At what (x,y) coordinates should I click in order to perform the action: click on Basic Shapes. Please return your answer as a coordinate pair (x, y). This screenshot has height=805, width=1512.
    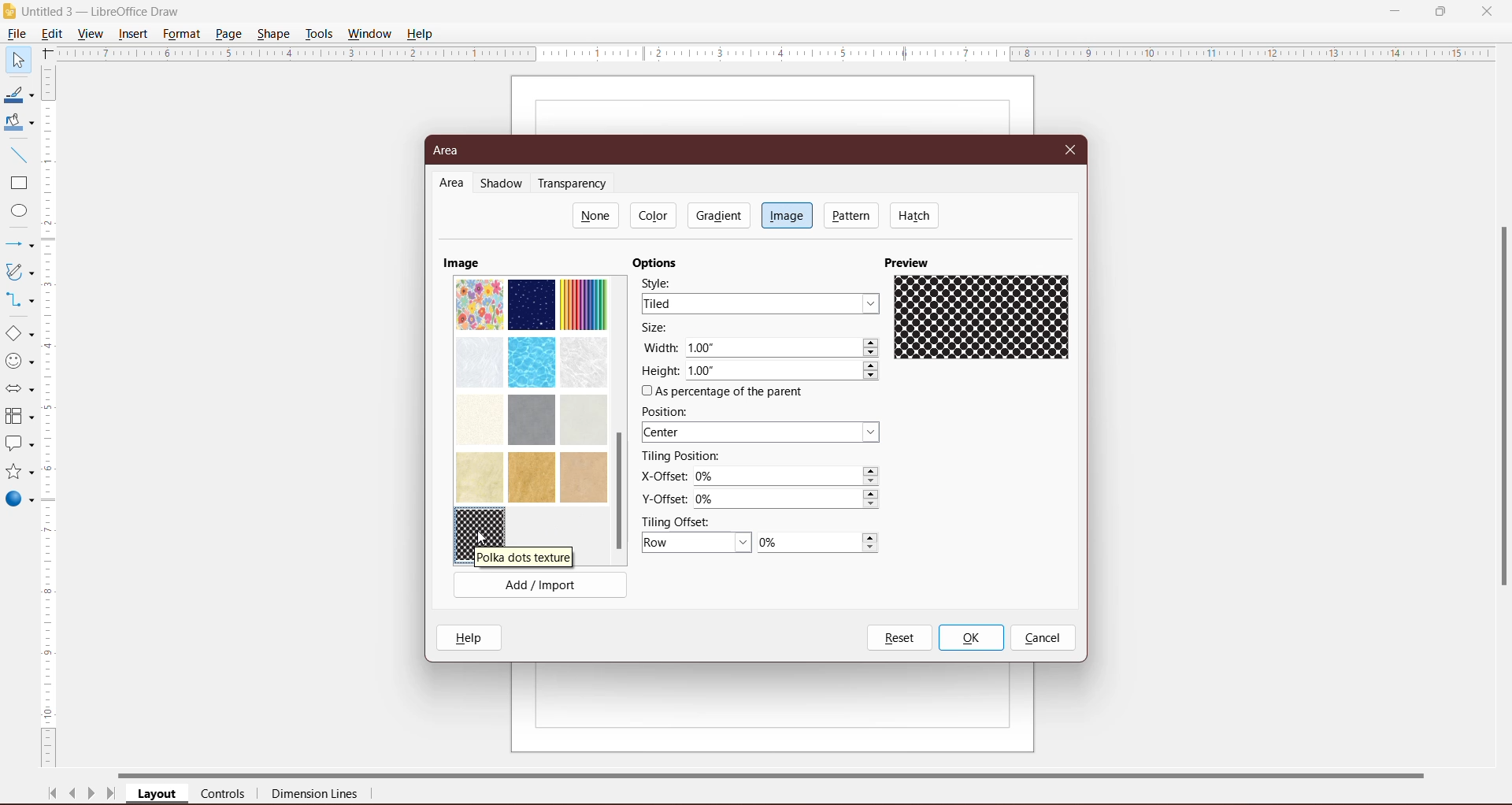
    Looking at the image, I should click on (19, 334).